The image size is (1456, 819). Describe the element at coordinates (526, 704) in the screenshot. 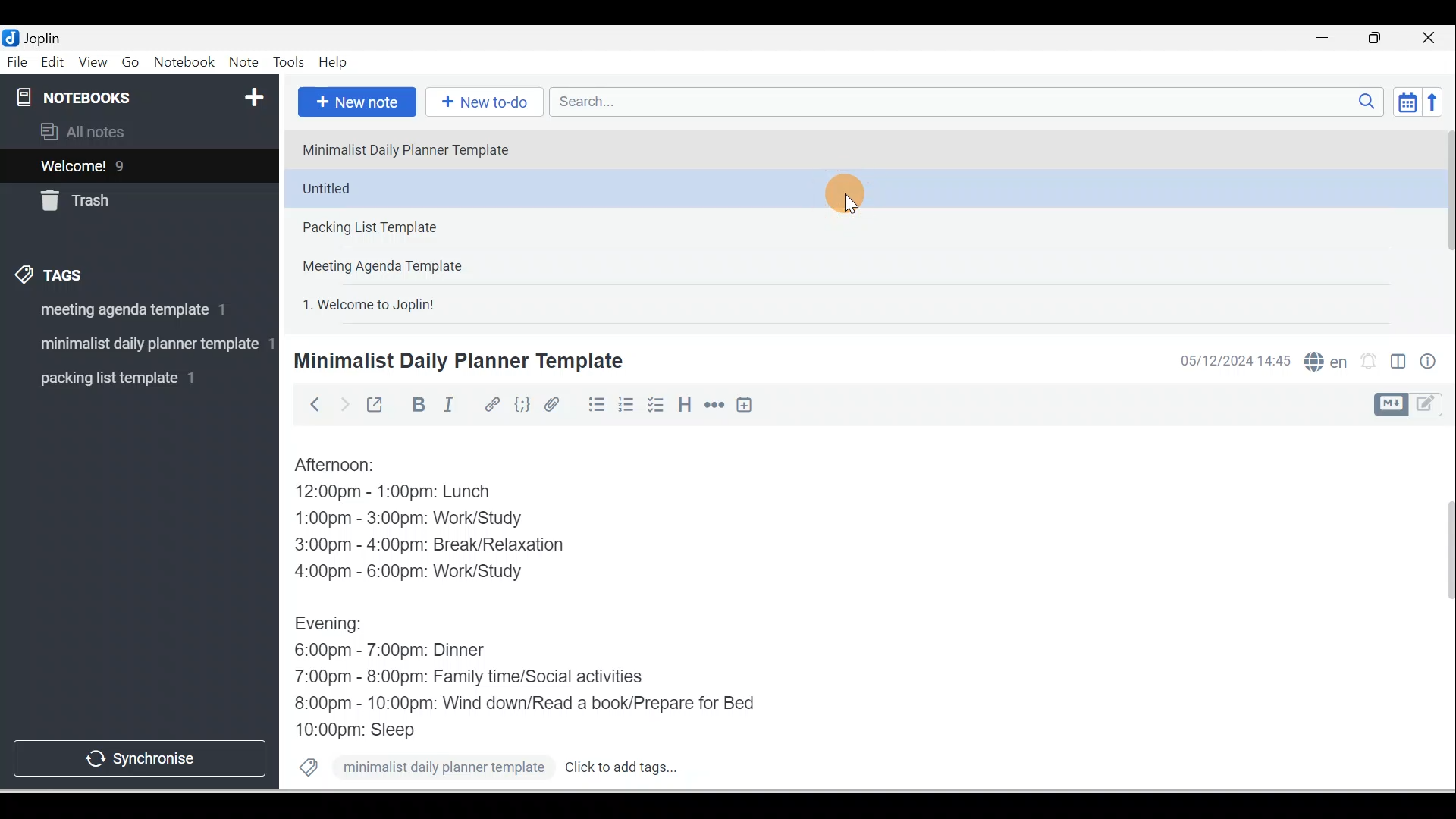

I see `8:00pm - 10:00pm: Wind down/Read a book/Prepare for Bed` at that location.